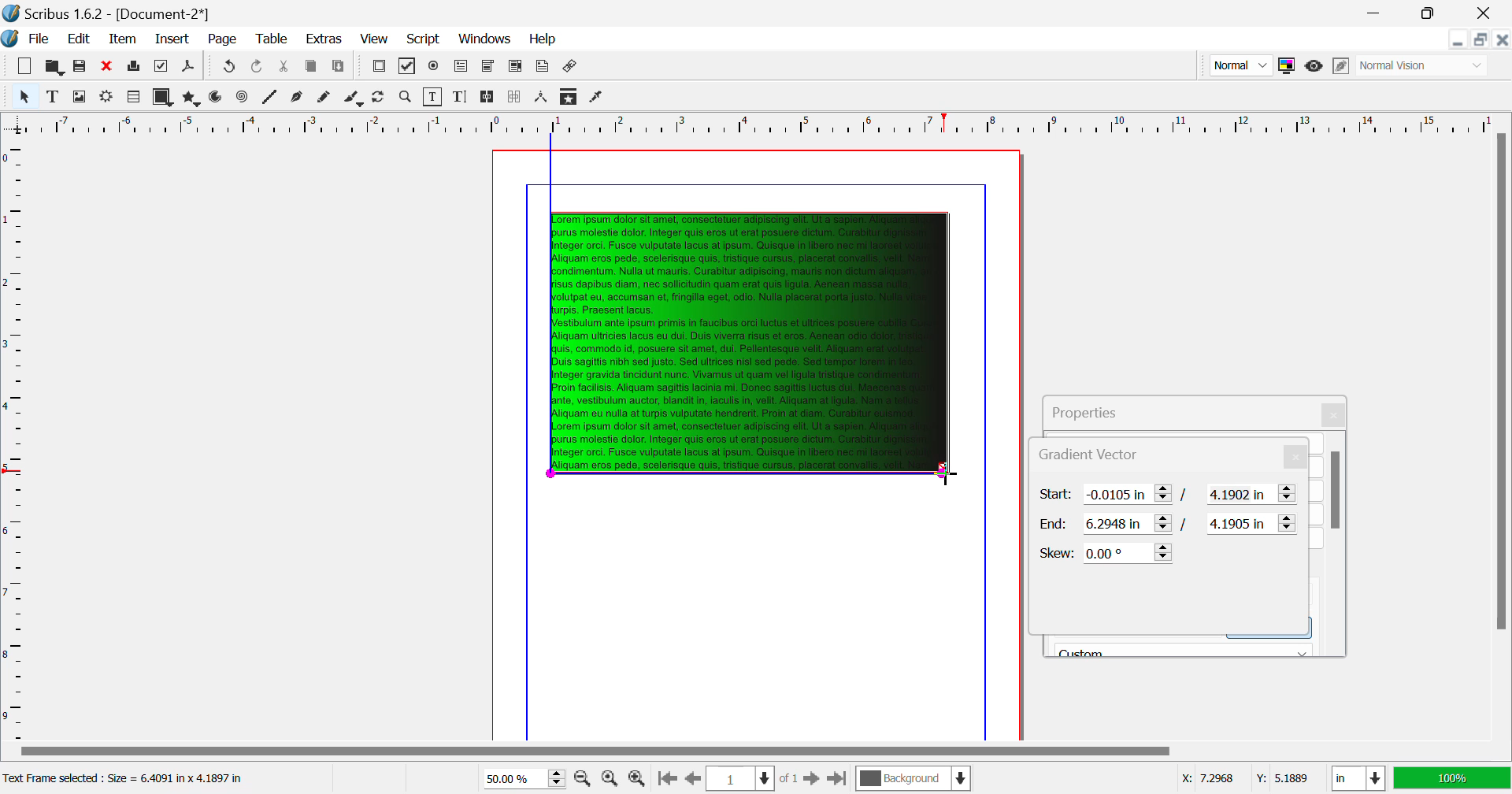 The image size is (1512, 794). I want to click on Save as PDF, so click(189, 68).